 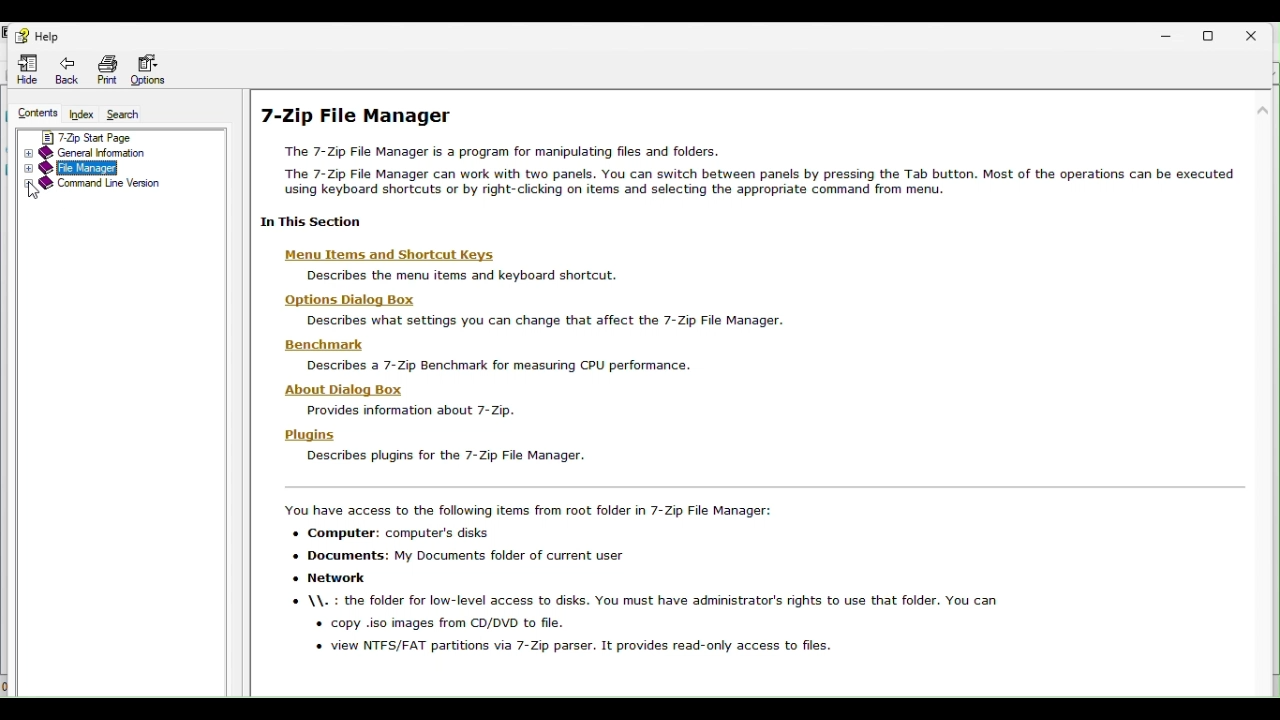 What do you see at coordinates (351, 300) in the screenshot?
I see `options dialog box` at bounding box center [351, 300].